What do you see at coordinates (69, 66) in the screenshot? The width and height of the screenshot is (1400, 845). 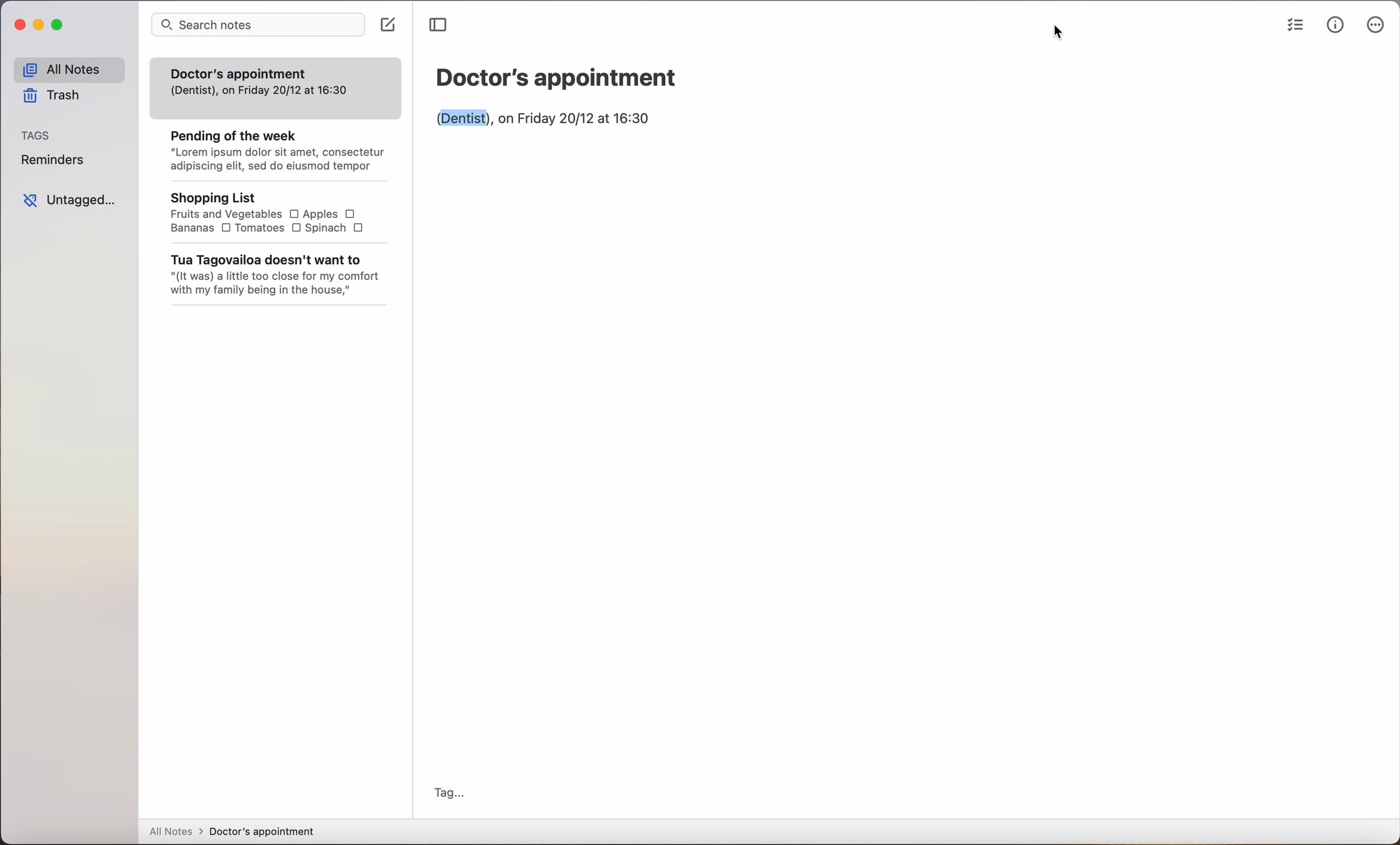 I see `all notes` at bounding box center [69, 66].